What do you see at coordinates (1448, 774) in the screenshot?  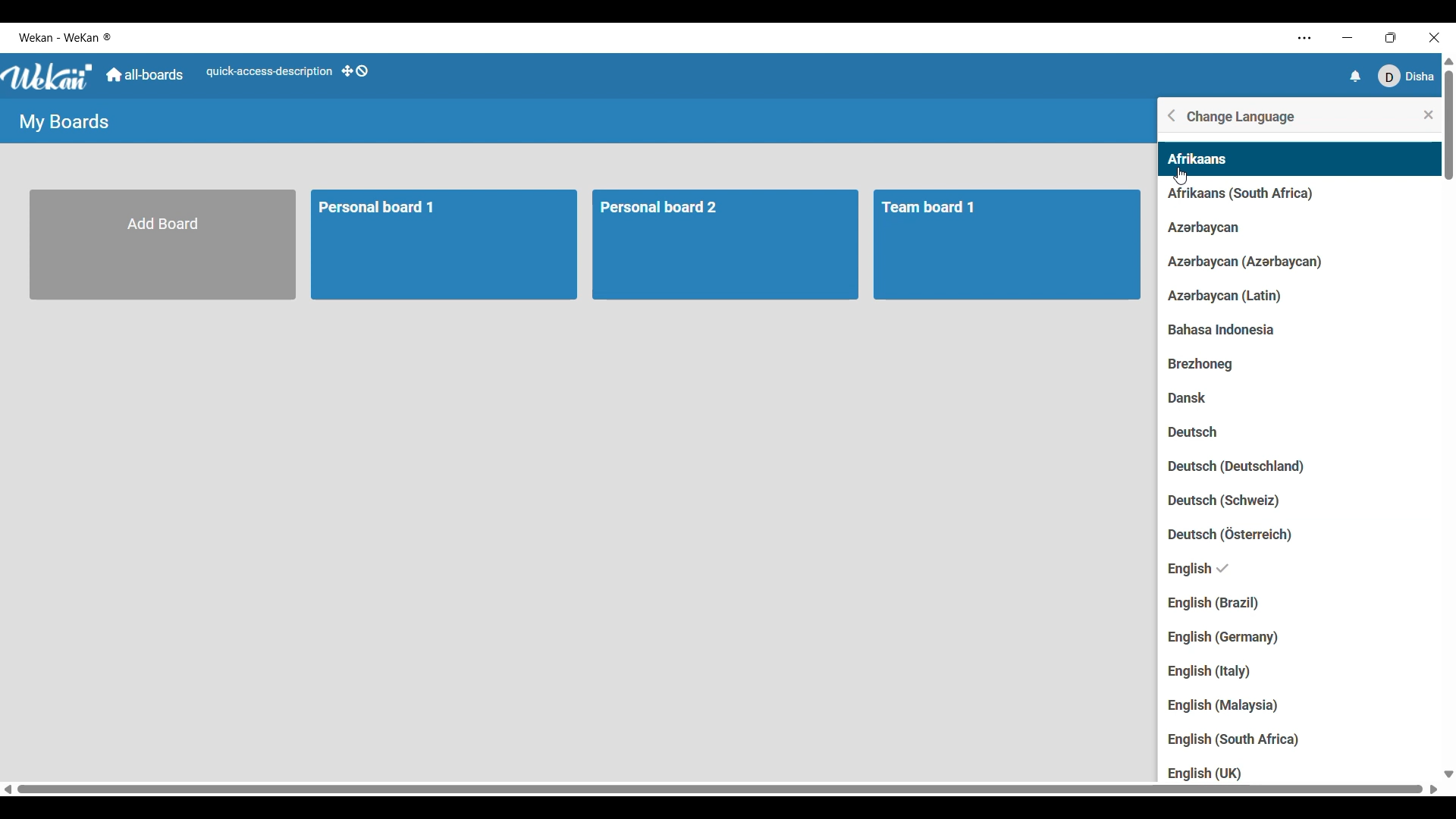 I see `Quick slide to bottom` at bounding box center [1448, 774].